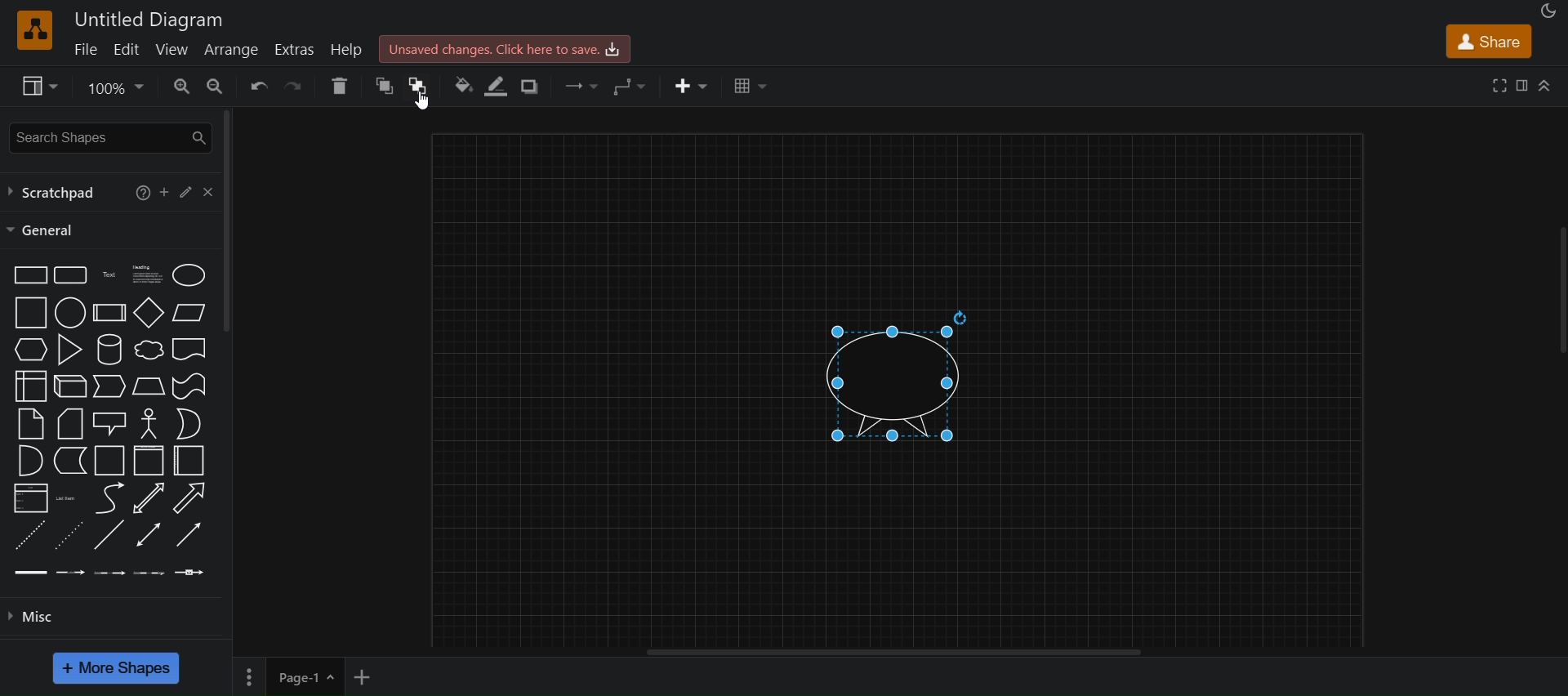 This screenshot has height=696, width=1568. I want to click on directional line, so click(189, 533).